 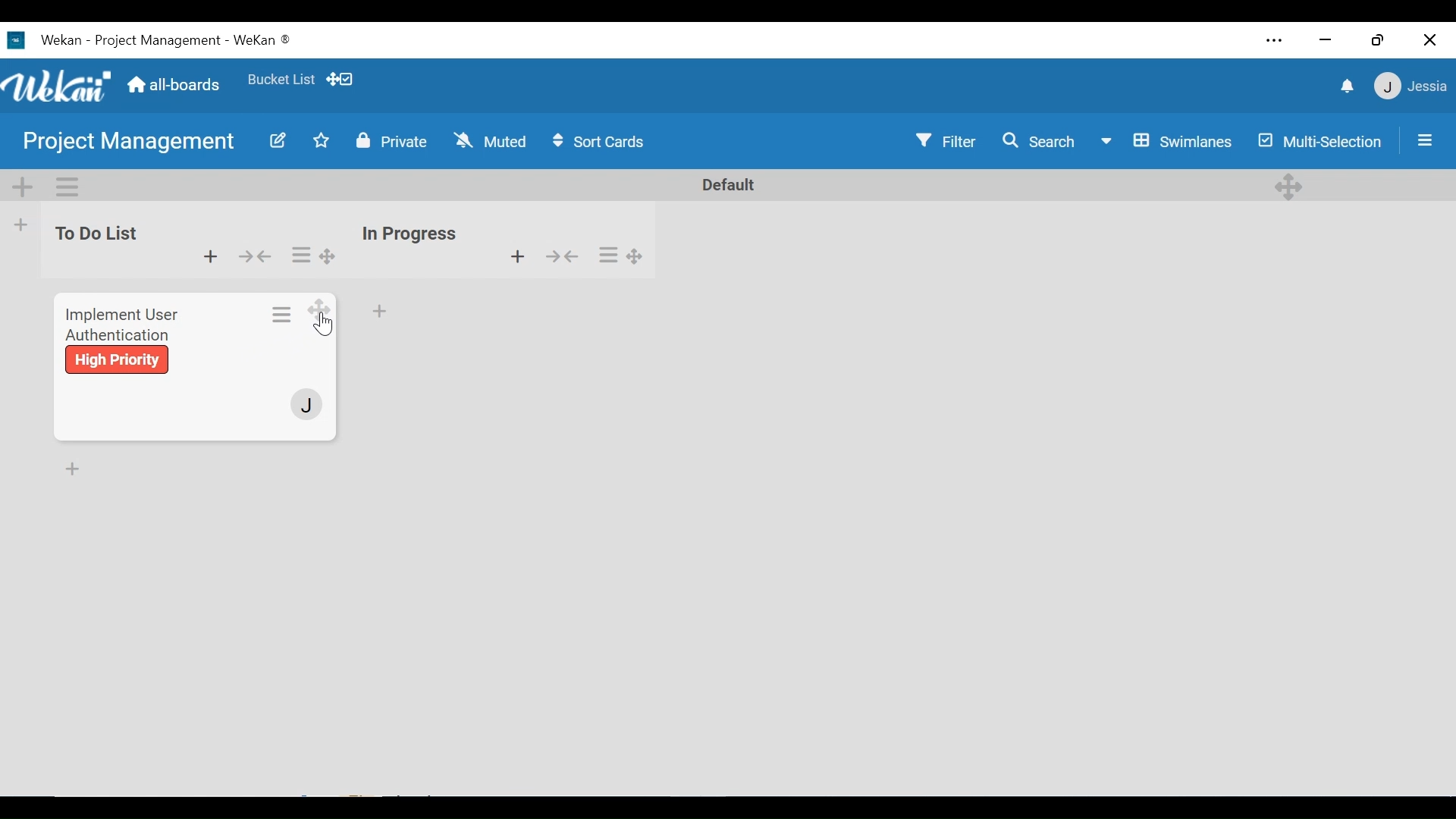 I want to click on edit, so click(x=277, y=140).